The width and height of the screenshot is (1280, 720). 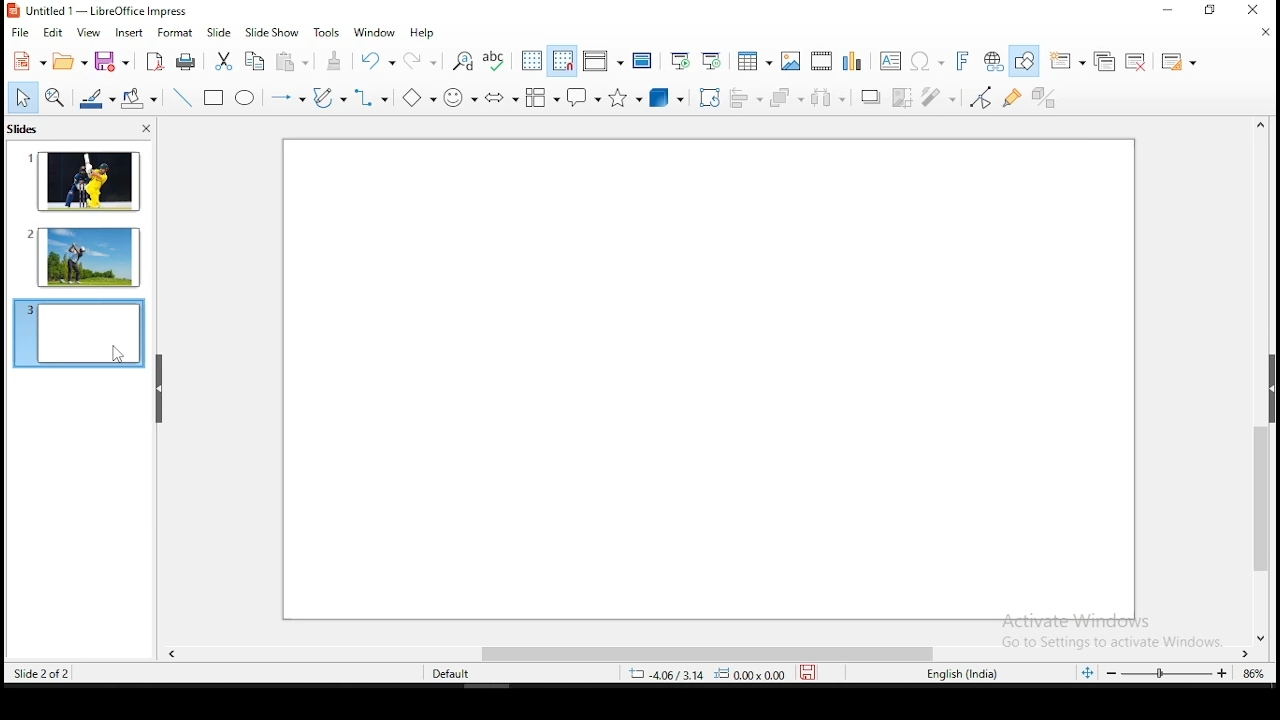 I want to click on slide 3 (current slide), so click(x=80, y=333).